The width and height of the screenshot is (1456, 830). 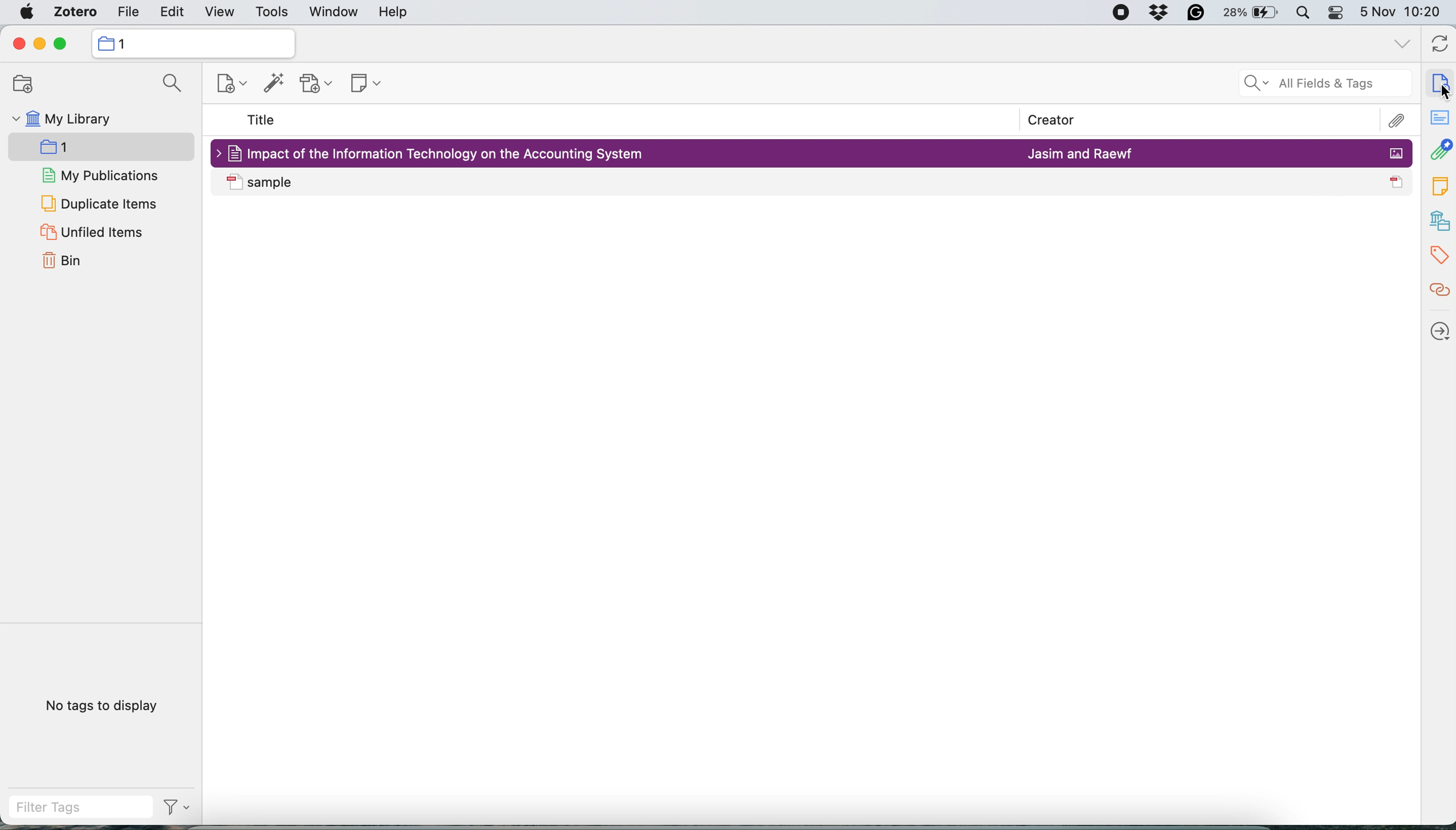 I want to click on view, so click(x=218, y=13).